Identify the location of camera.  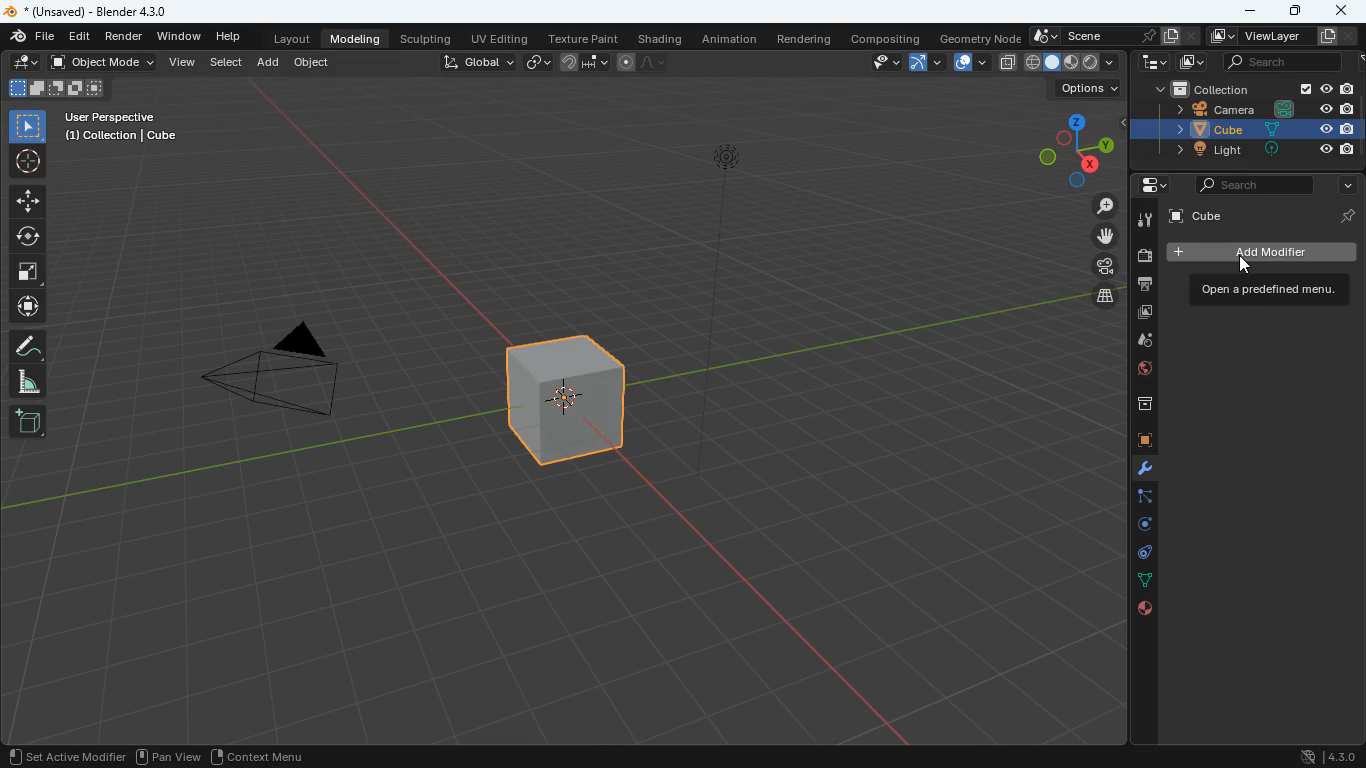
(1144, 258).